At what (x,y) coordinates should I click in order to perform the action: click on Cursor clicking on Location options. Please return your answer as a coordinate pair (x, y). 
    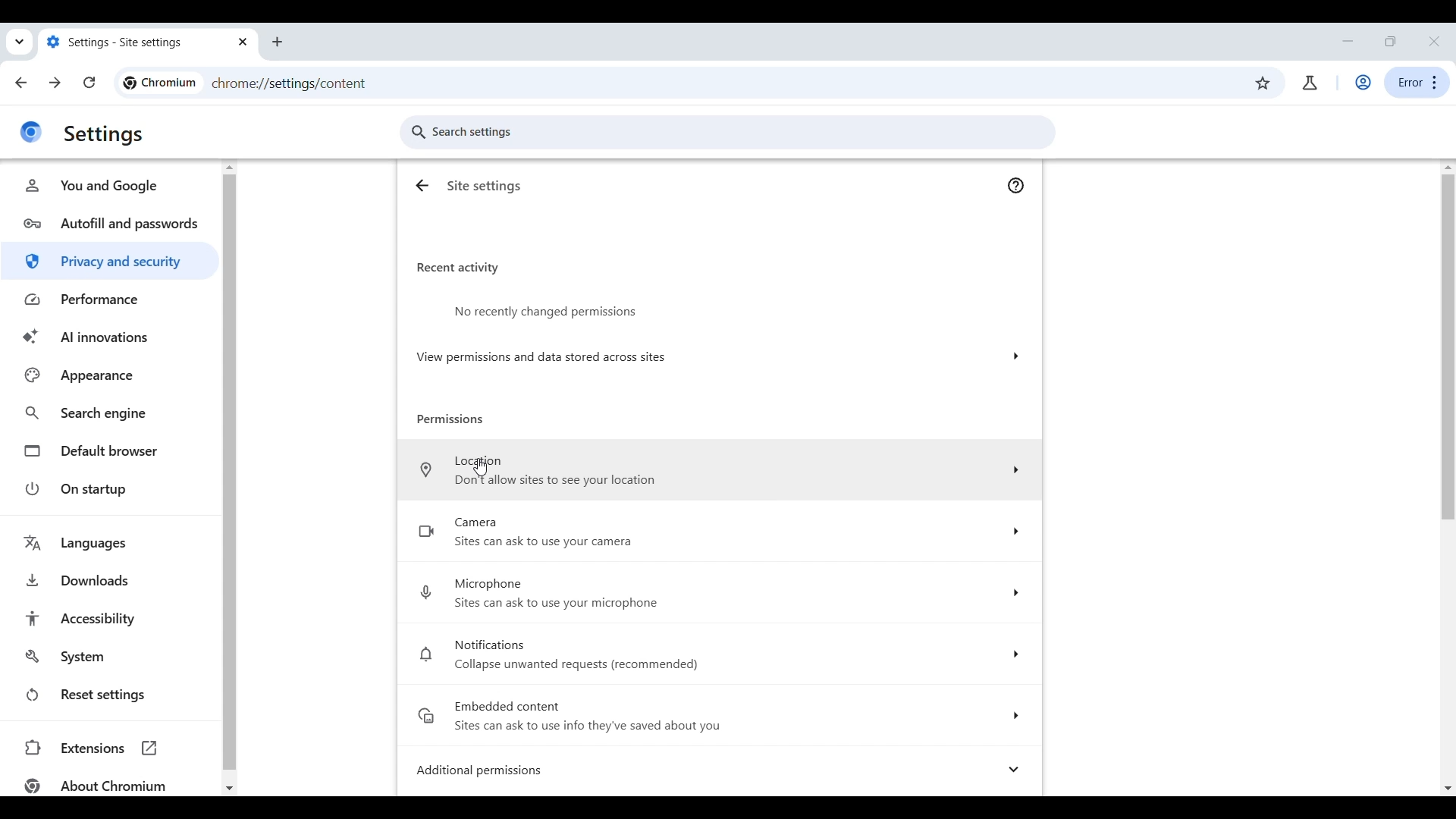
    Looking at the image, I should click on (479, 466).